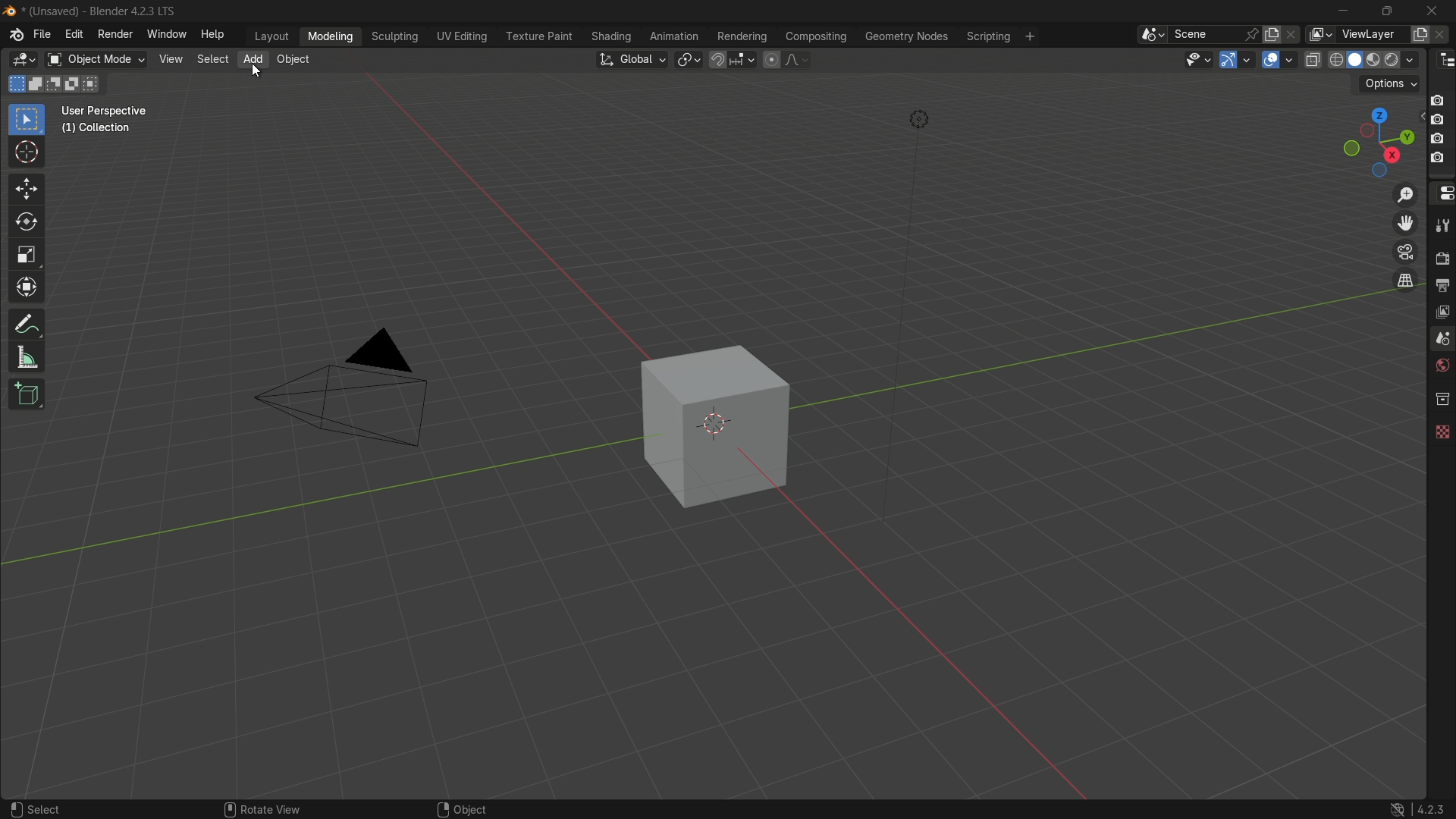 The image size is (1456, 819). I want to click on add new layer, so click(1421, 35).